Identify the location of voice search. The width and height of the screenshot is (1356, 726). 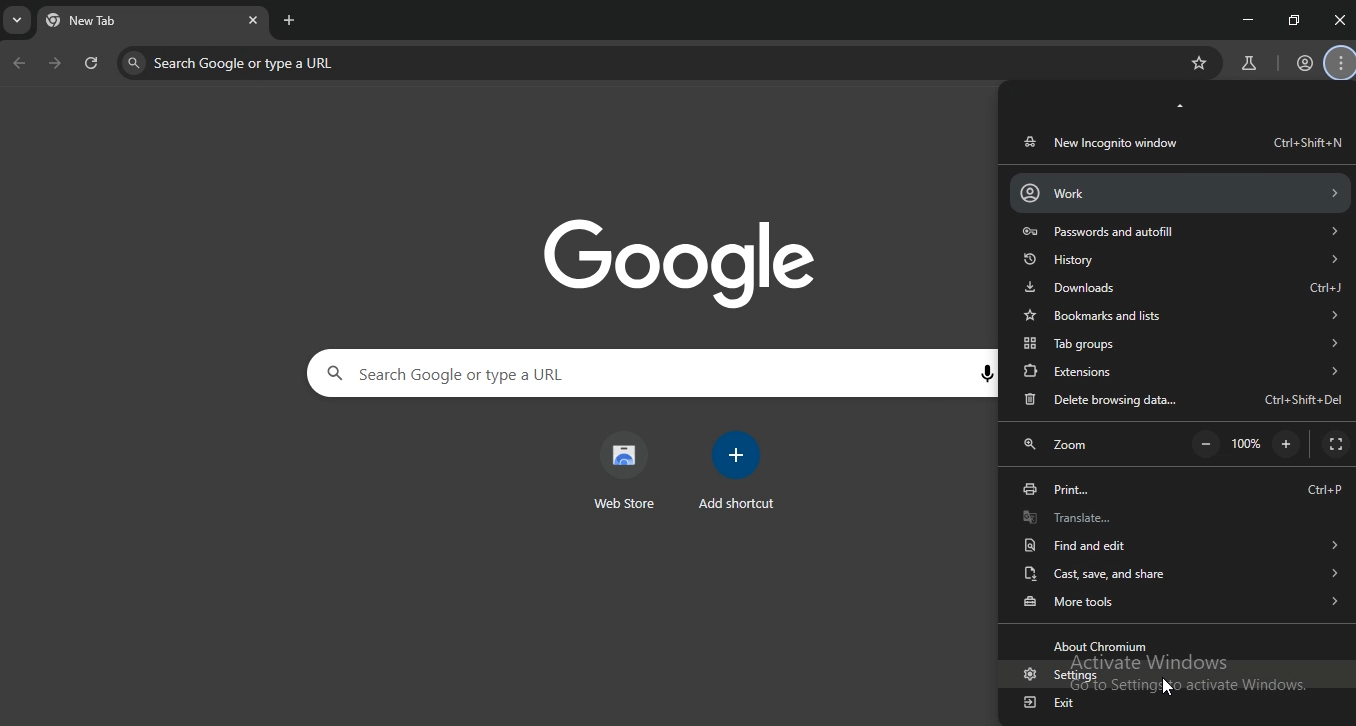
(985, 375).